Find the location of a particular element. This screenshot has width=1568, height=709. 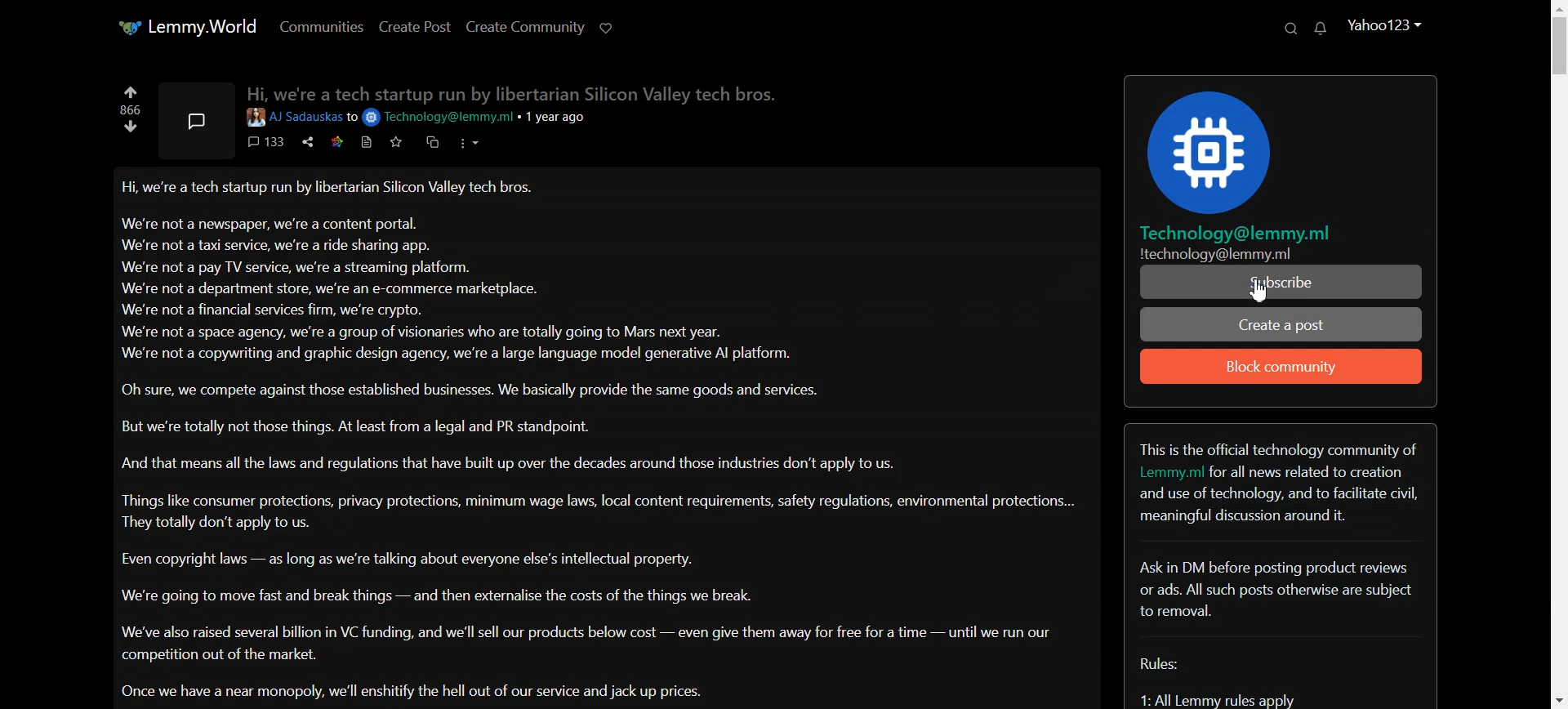

Lemmy.world is located at coordinates (185, 26).